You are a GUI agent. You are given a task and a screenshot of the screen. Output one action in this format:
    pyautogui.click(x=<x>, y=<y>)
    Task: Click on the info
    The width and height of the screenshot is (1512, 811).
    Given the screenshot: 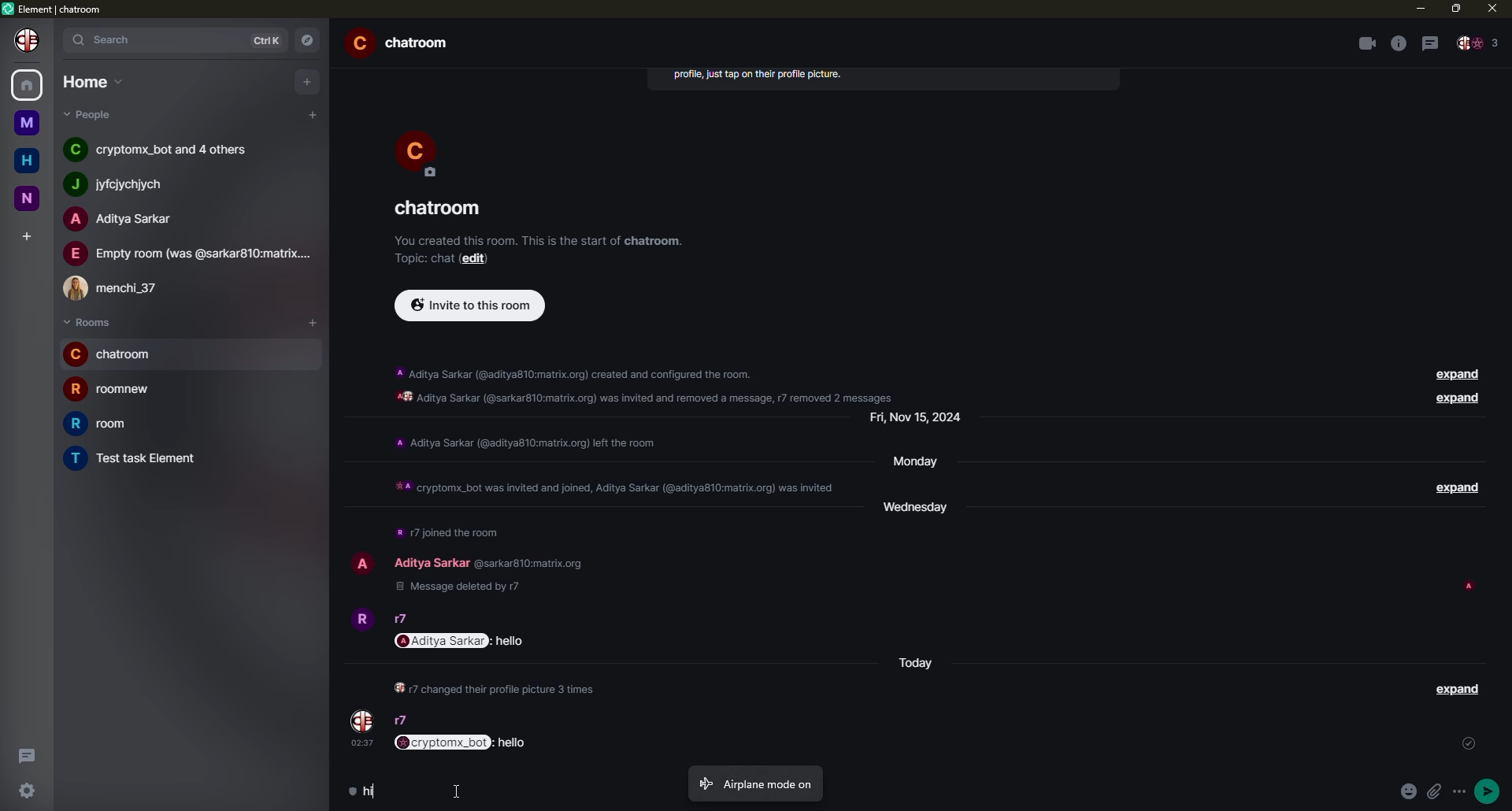 What is the action you would take?
    pyautogui.click(x=757, y=72)
    